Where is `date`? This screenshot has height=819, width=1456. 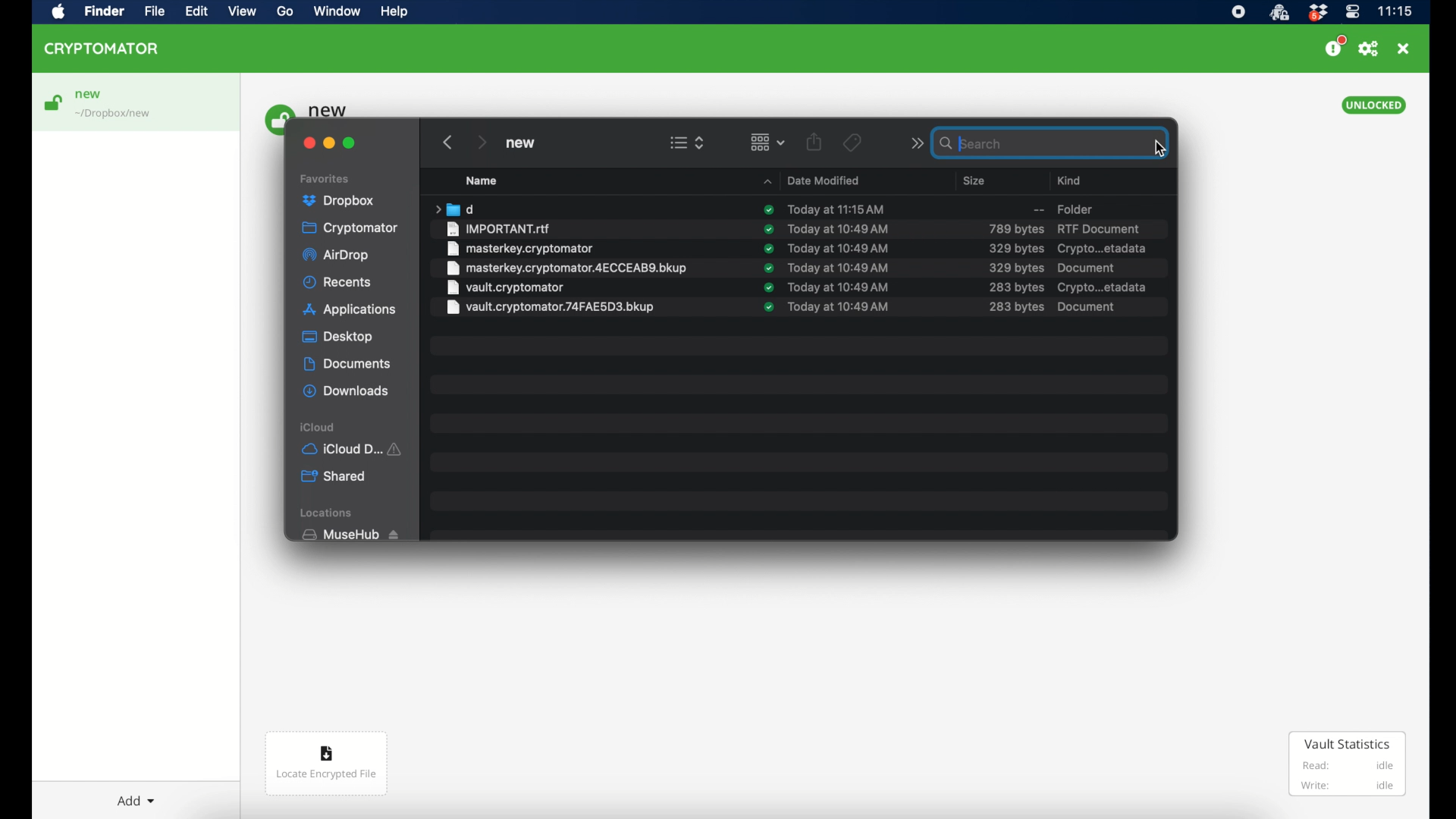 date is located at coordinates (838, 307).